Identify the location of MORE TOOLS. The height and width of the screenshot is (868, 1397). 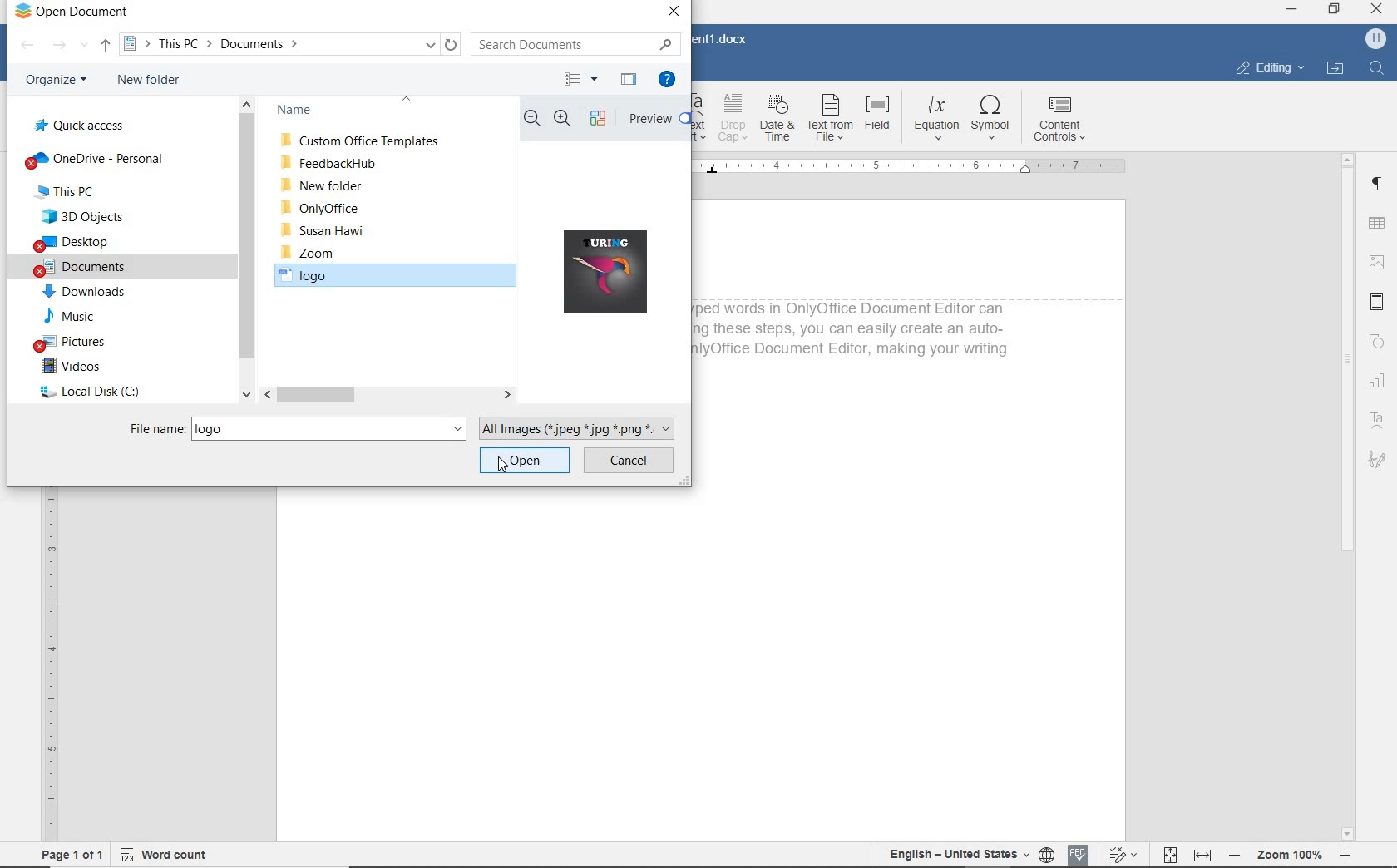
(600, 118).